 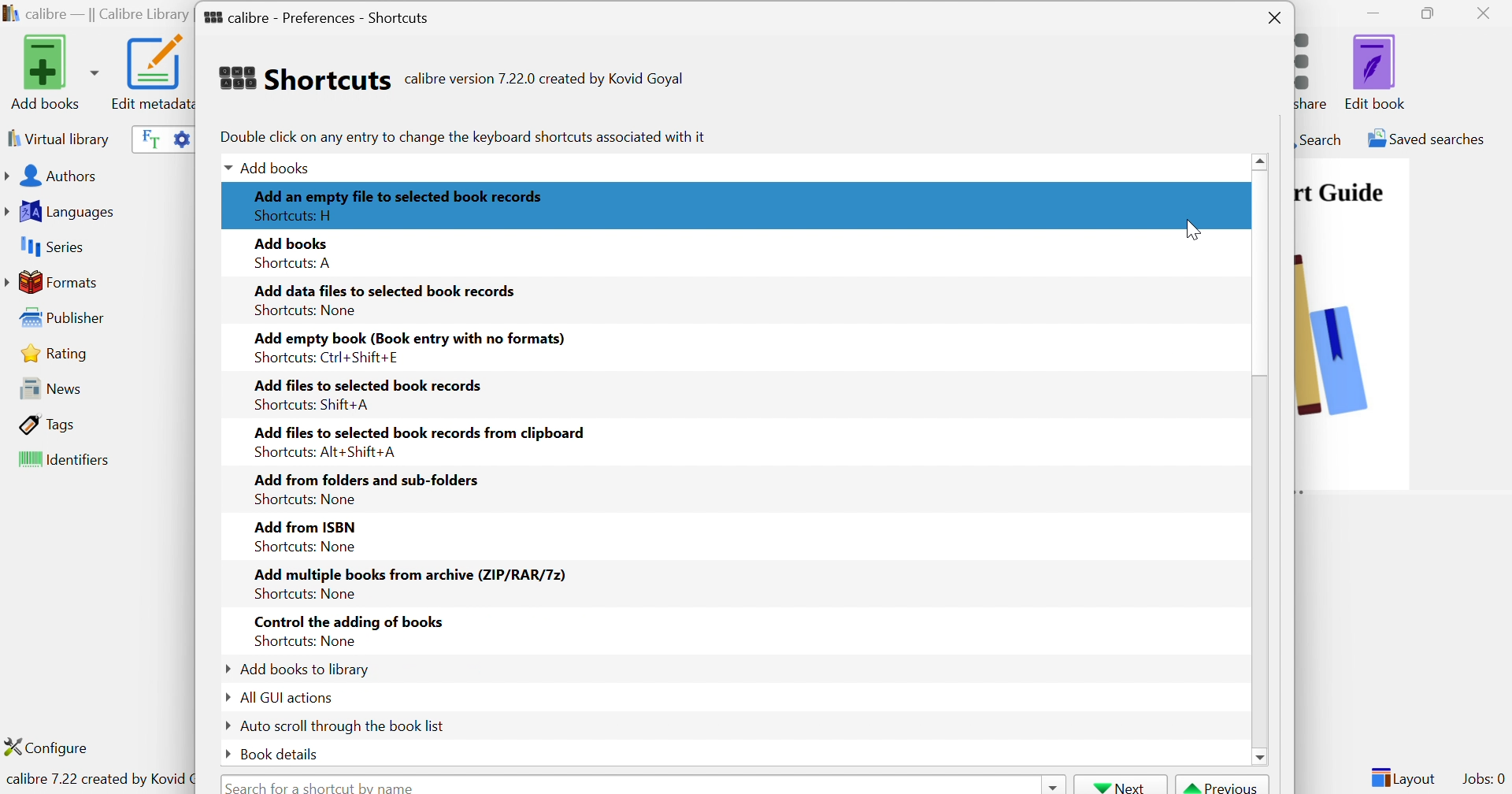 I want to click on Add from ISBN, so click(x=305, y=525).